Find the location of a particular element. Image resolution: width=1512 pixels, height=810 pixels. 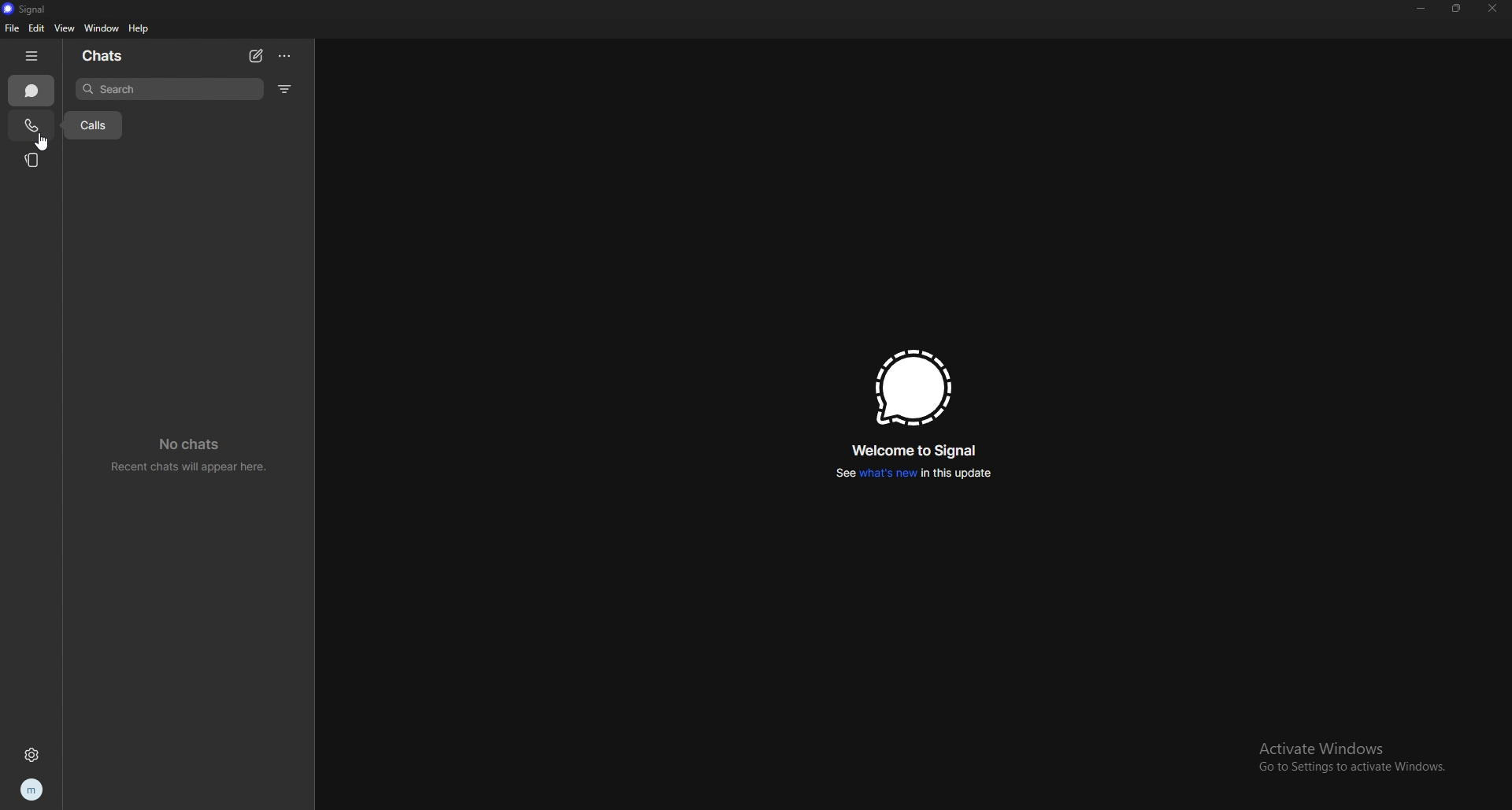

new chat is located at coordinates (255, 56).